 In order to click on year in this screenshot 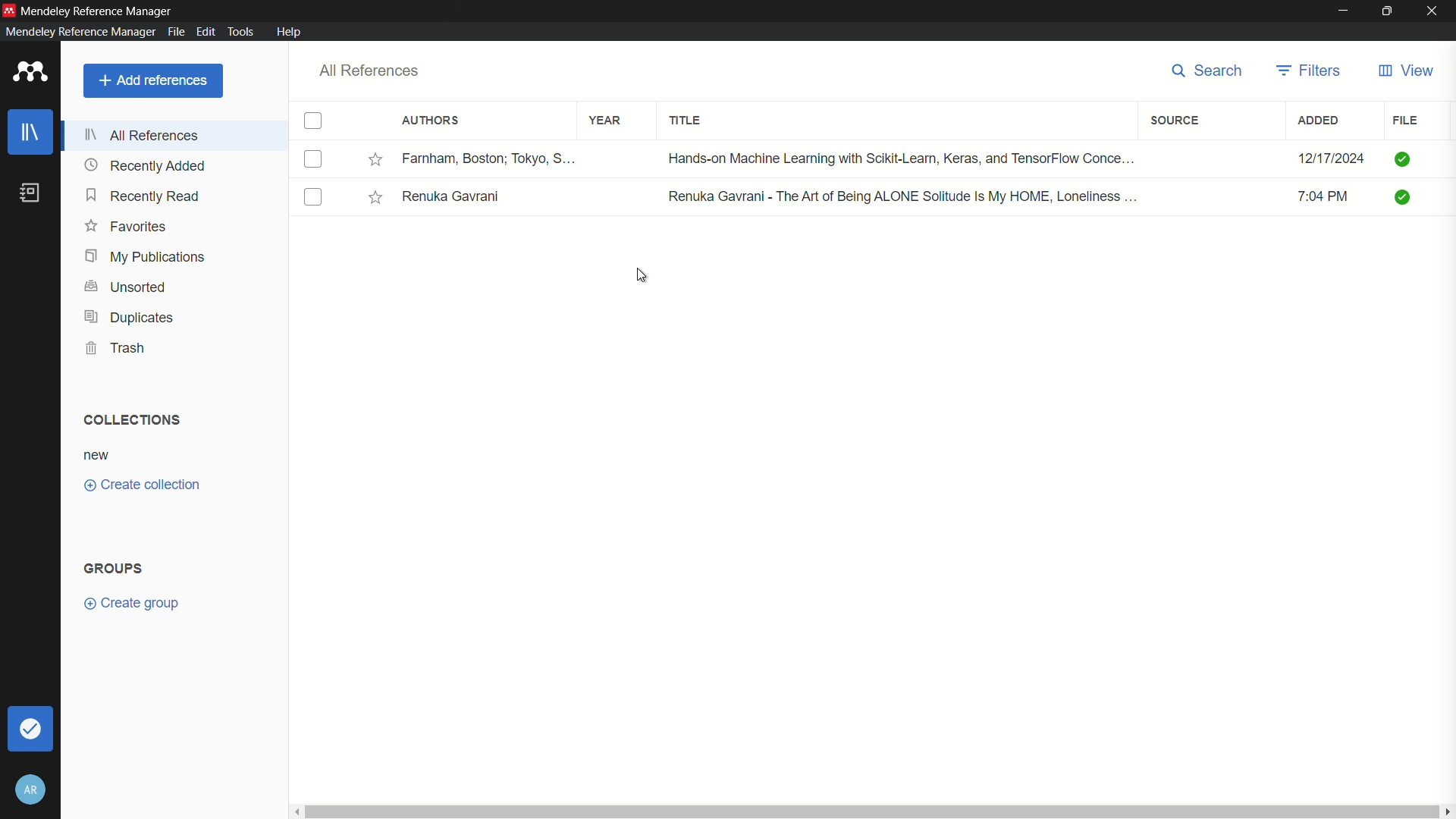, I will do `click(606, 120)`.